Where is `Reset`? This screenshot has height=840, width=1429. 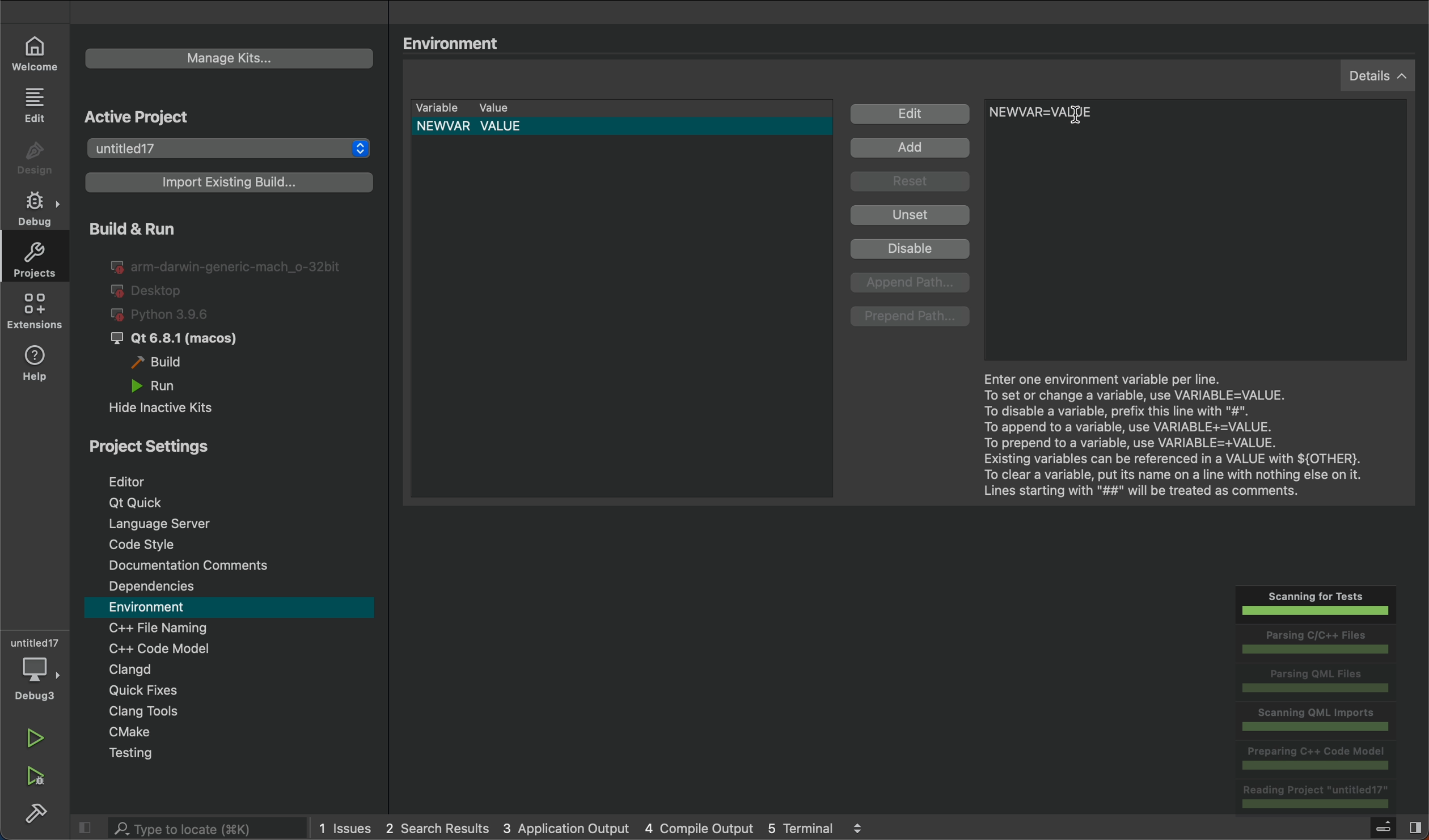
Reset is located at coordinates (914, 183).